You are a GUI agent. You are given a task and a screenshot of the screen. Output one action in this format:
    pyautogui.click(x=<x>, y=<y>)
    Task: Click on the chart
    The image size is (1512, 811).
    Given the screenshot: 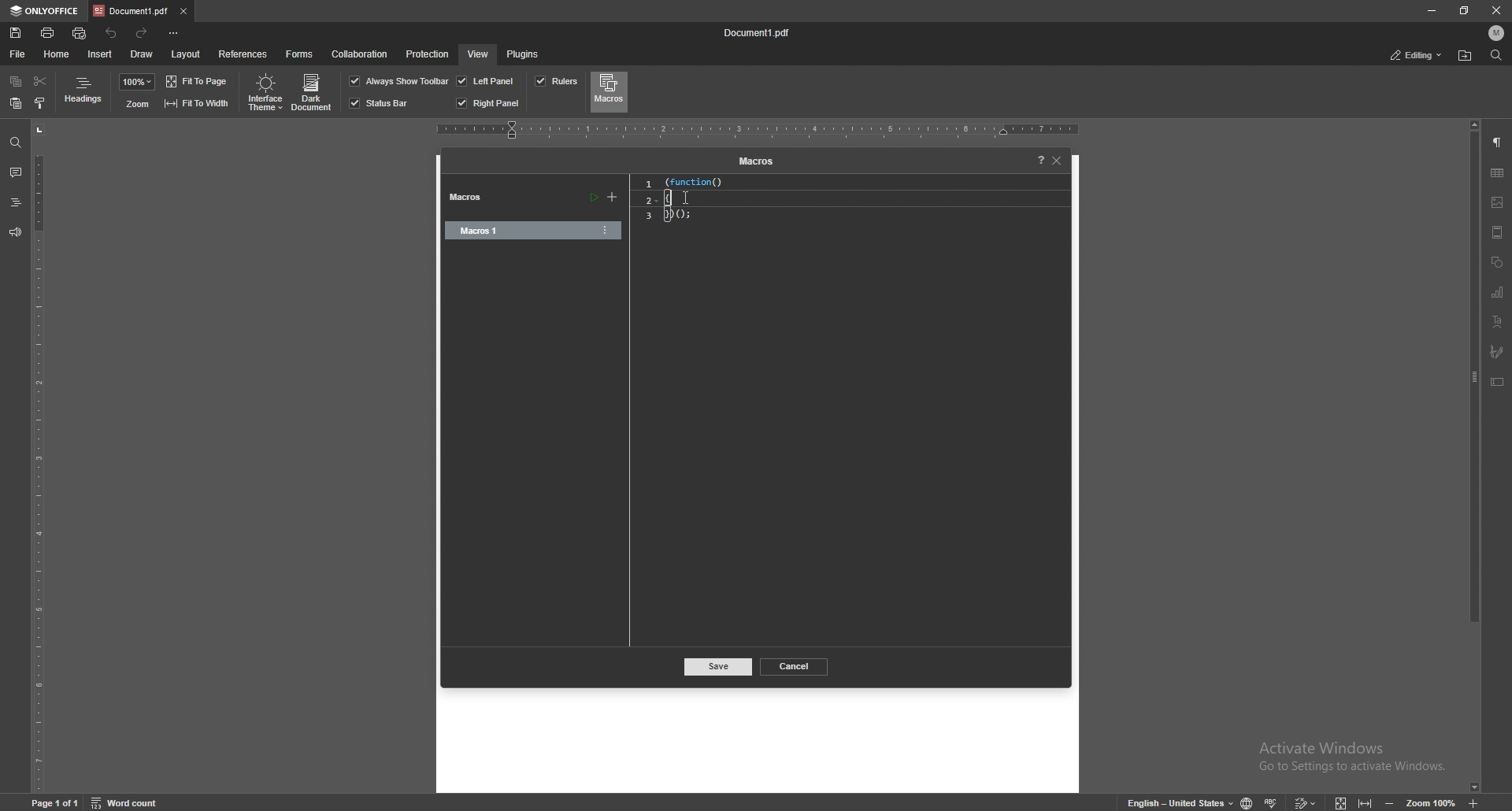 What is the action you would take?
    pyautogui.click(x=1497, y=292)
    